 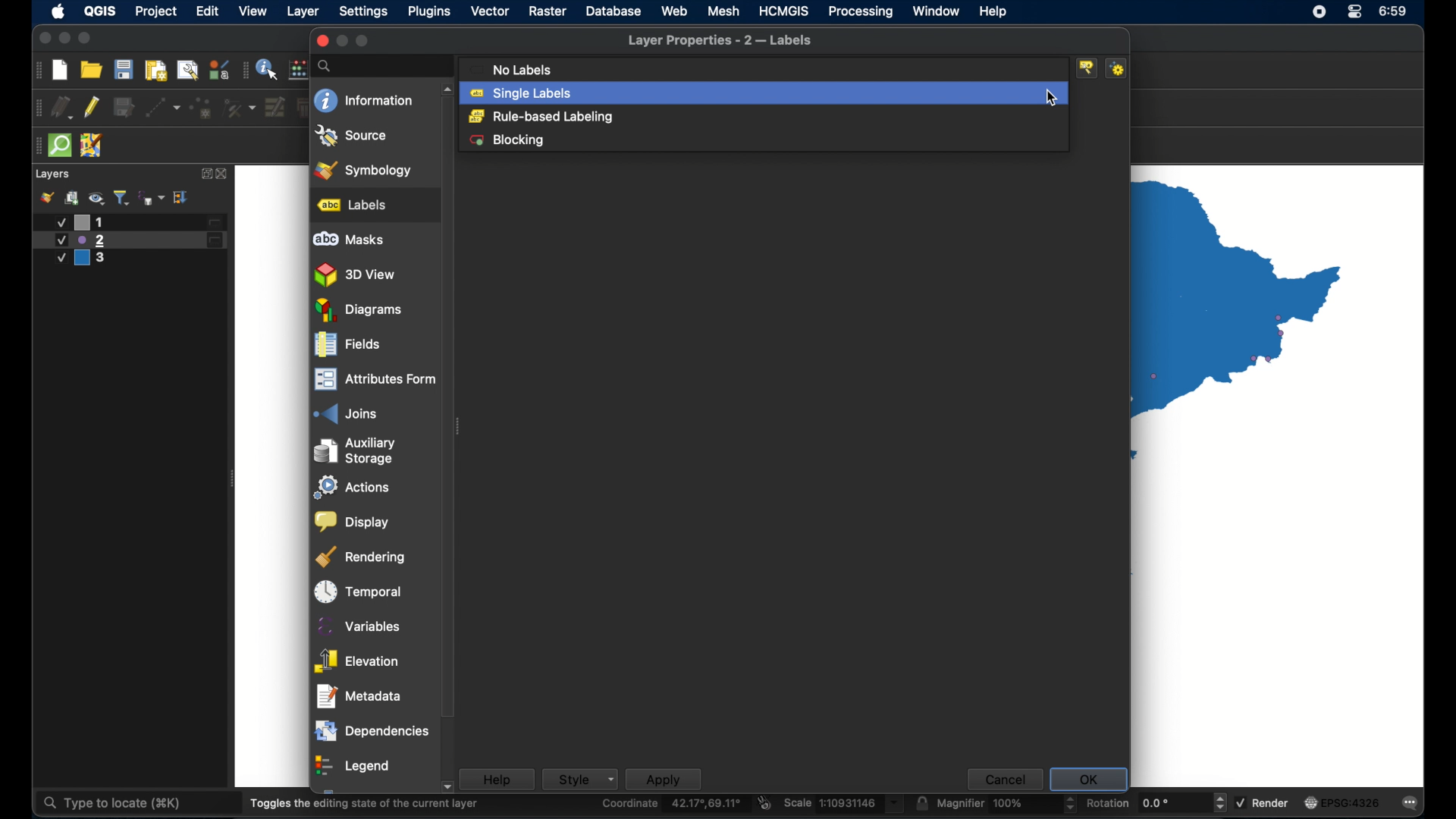 I want to click on cancel, so click(x=1003, y=778).